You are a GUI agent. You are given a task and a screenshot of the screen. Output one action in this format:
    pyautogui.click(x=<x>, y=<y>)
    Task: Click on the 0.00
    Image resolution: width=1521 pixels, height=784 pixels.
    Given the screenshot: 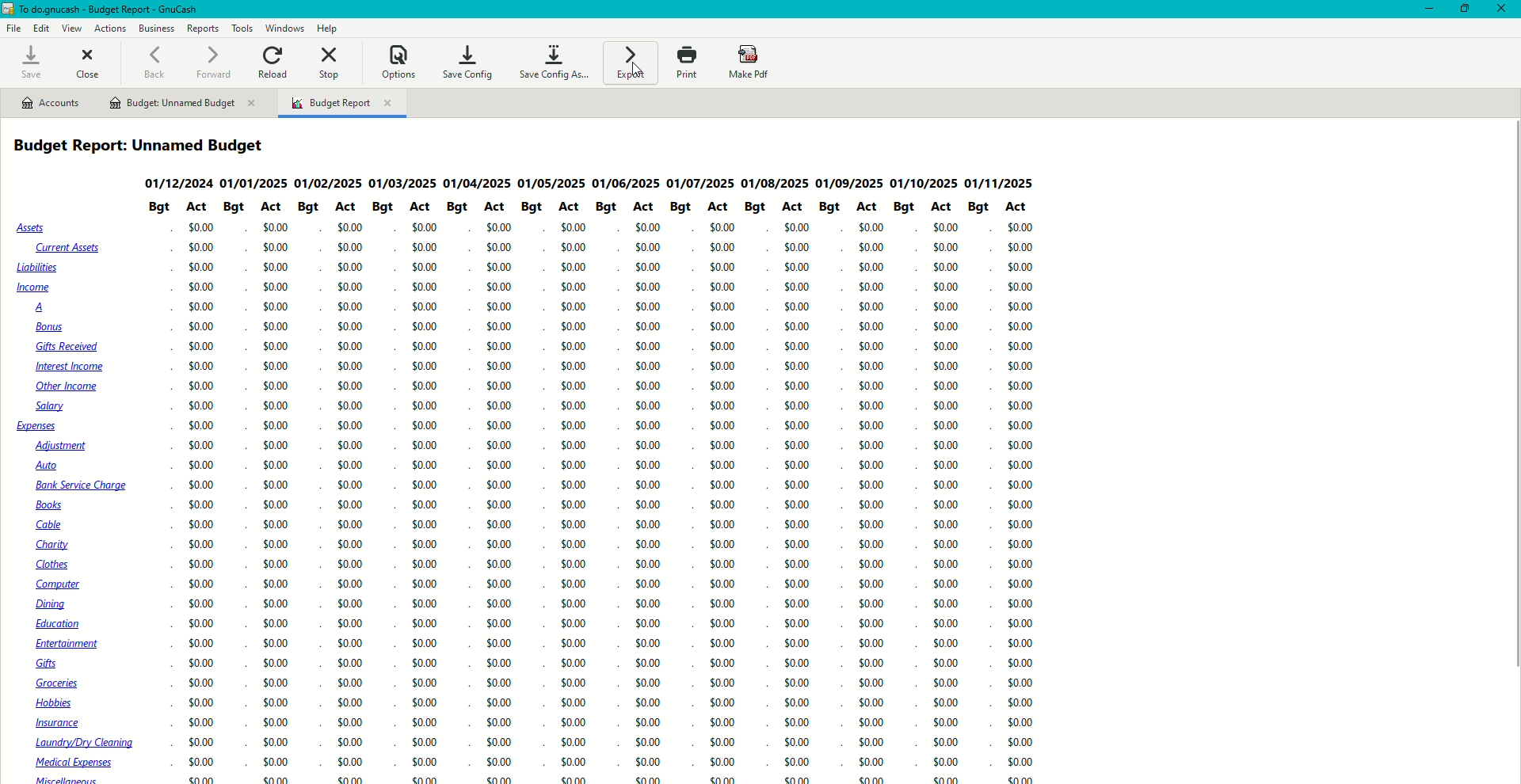 What is the action you would take?
    pyautogui.click(x=278, y=466)
    